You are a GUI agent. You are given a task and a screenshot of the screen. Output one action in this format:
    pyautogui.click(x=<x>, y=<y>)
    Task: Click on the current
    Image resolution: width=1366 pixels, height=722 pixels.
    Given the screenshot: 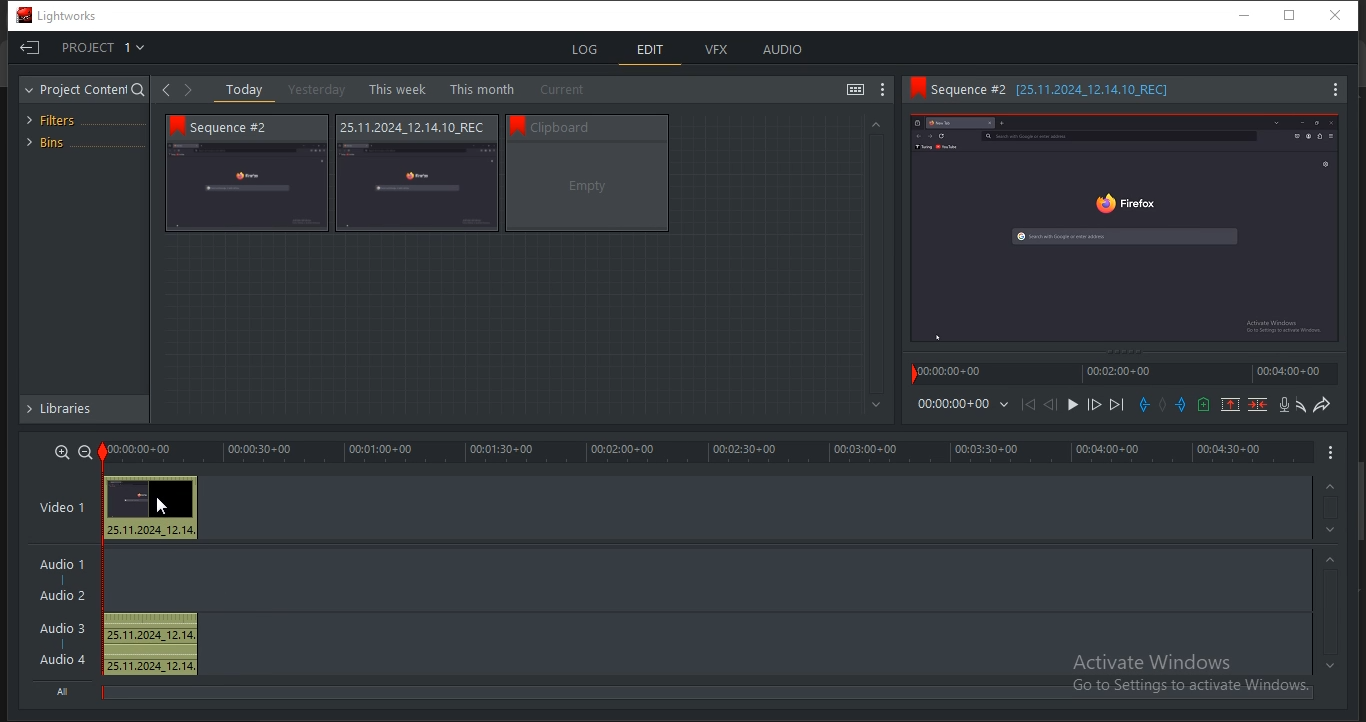 What is the action you would take?
    pyautogui.click(x=567, y=90)
    